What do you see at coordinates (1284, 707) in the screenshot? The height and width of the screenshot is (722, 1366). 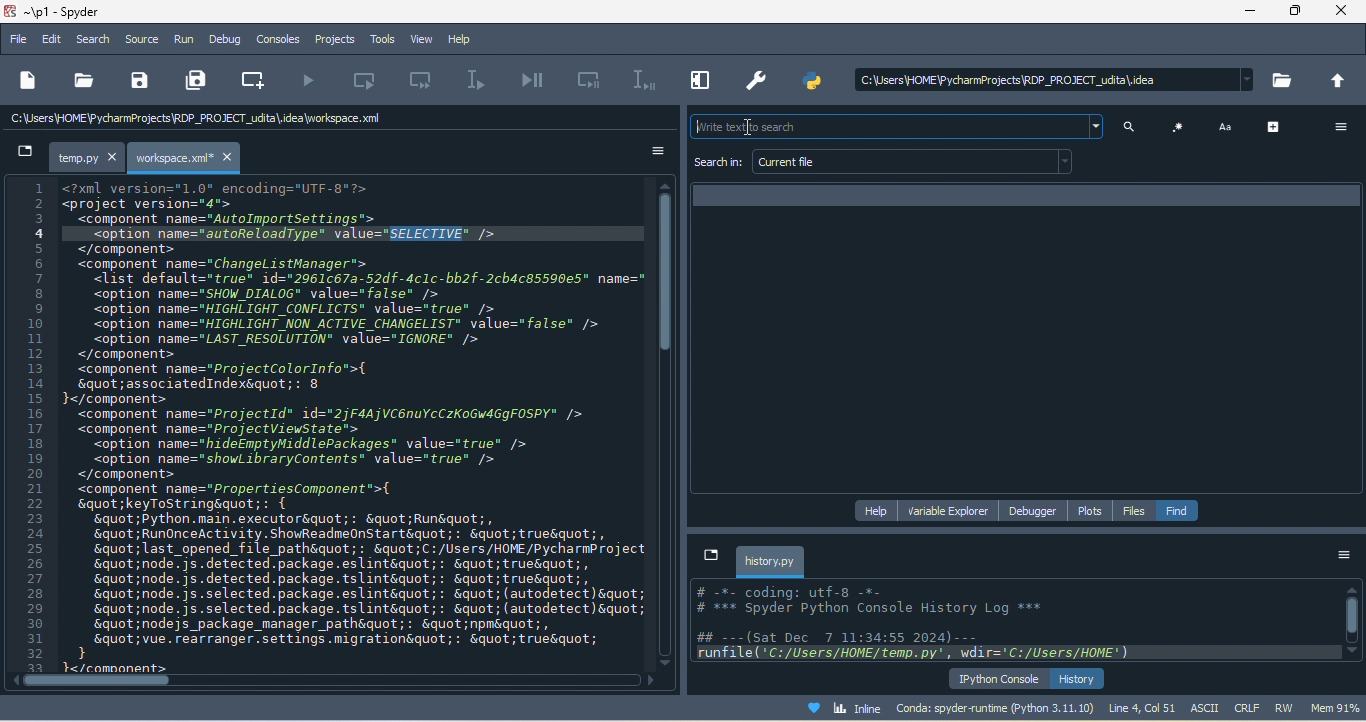 I see `rw` at bounding box center [1284, 707].